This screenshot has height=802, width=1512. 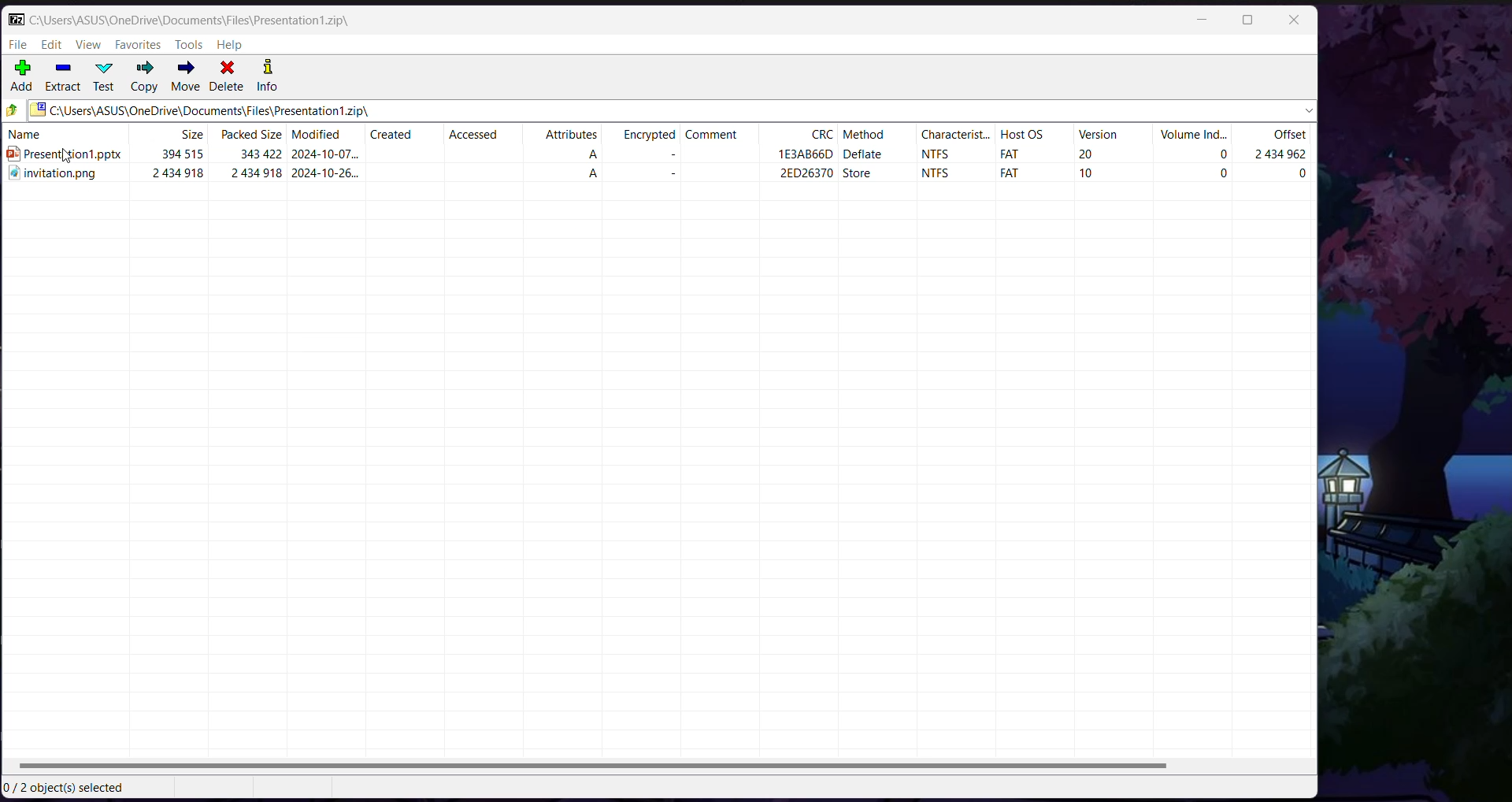 What do you see at coordinates (227, 76) in the screenshot?
I see `Delete` at bounding box center [227, 76].